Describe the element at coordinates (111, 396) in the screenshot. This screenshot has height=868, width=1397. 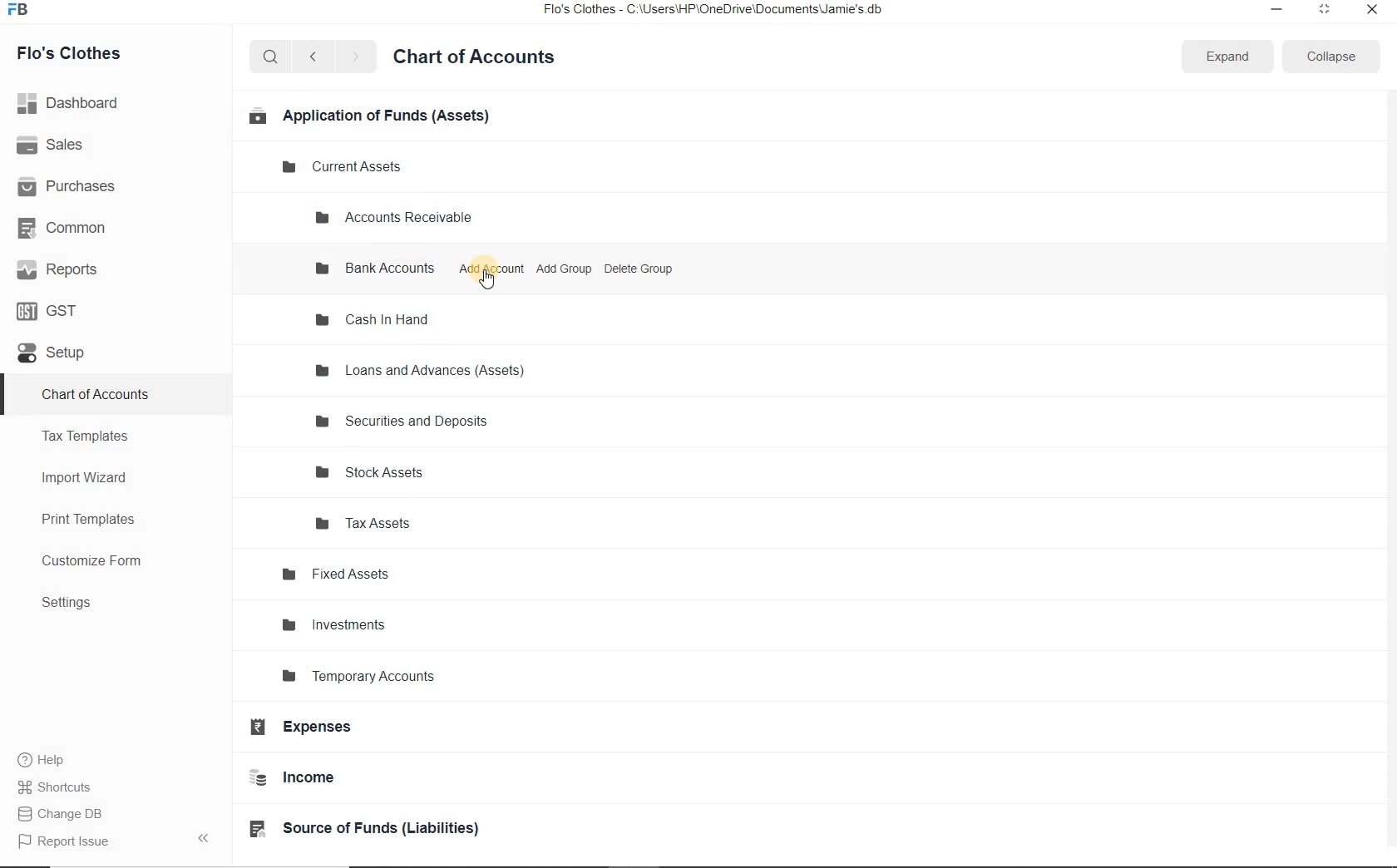
I see `chart of Accounts` at that location.